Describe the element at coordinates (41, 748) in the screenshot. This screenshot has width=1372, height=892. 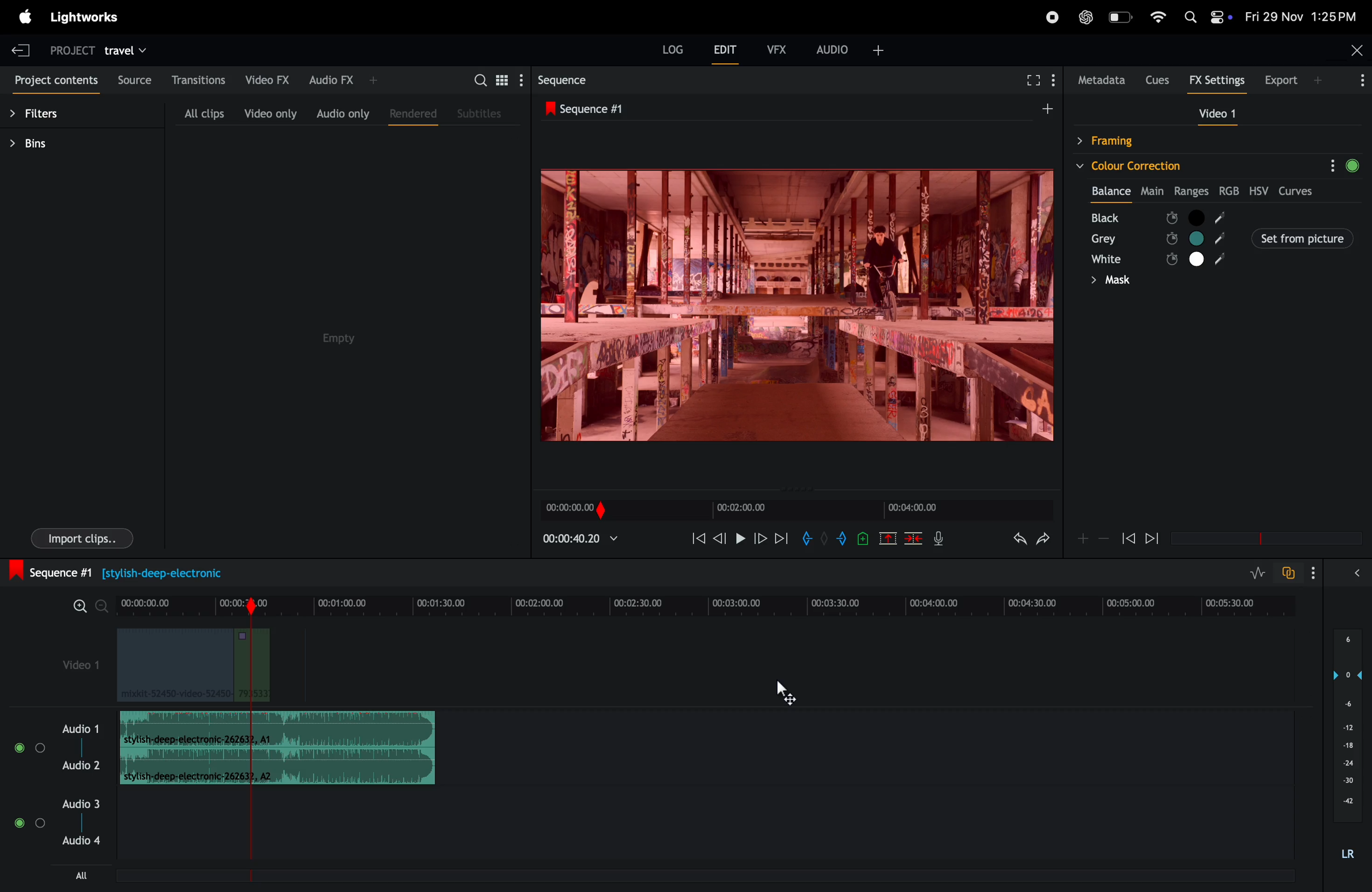
I see `toggle` at that location.